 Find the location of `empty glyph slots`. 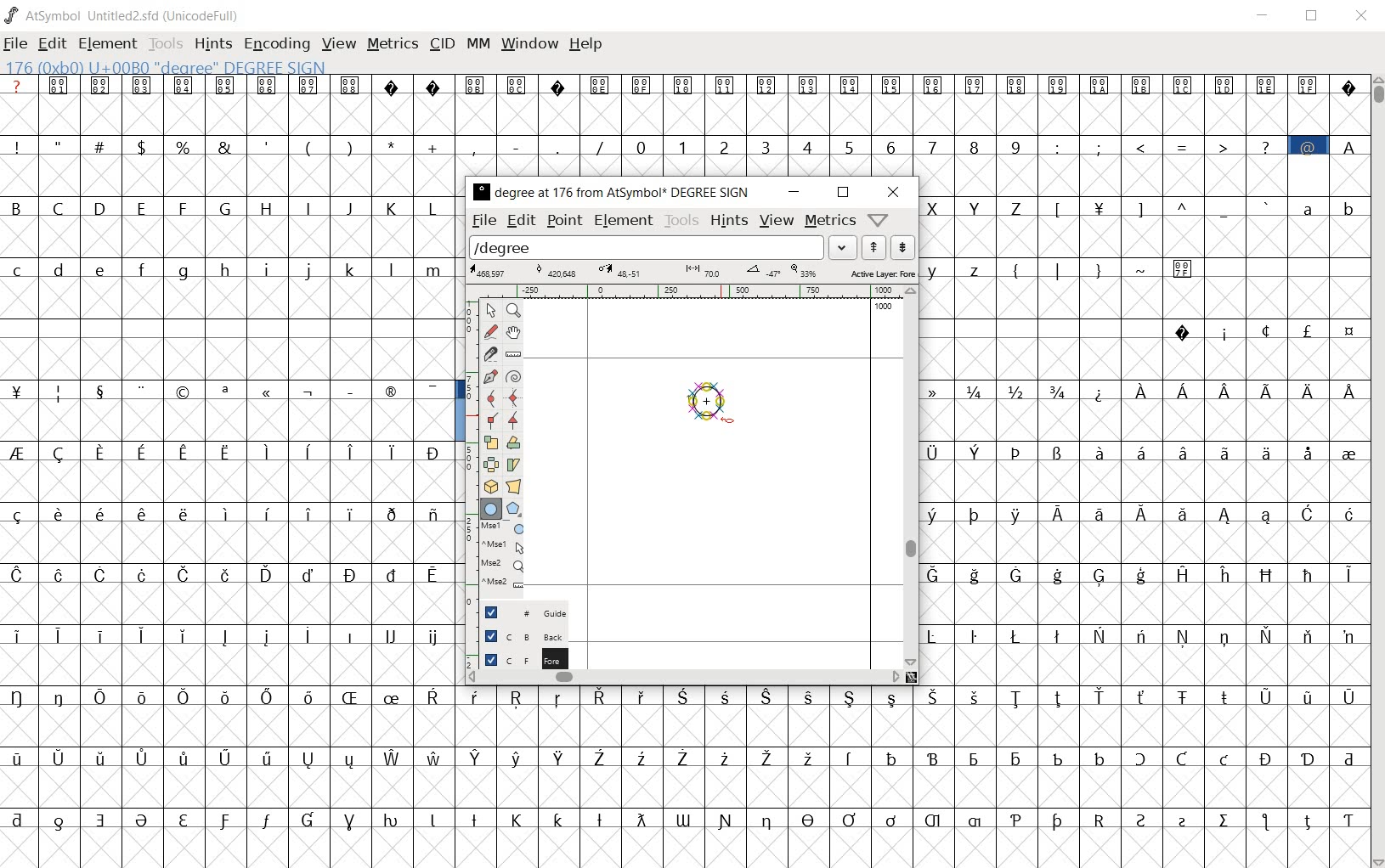

empty glyph slots is located at coordinates (229, 178).